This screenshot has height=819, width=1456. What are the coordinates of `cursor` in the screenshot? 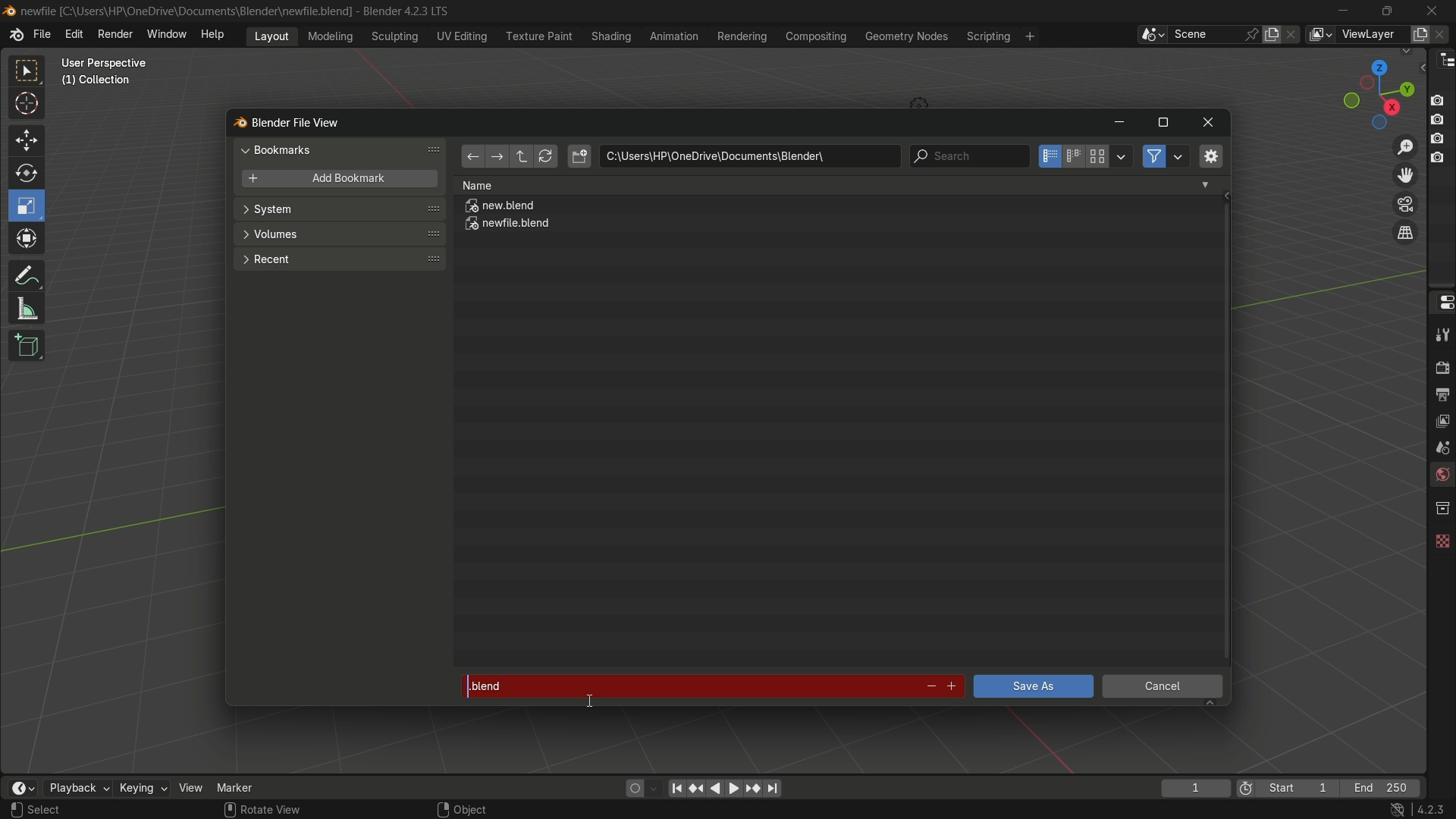 It's located at (27, 106).